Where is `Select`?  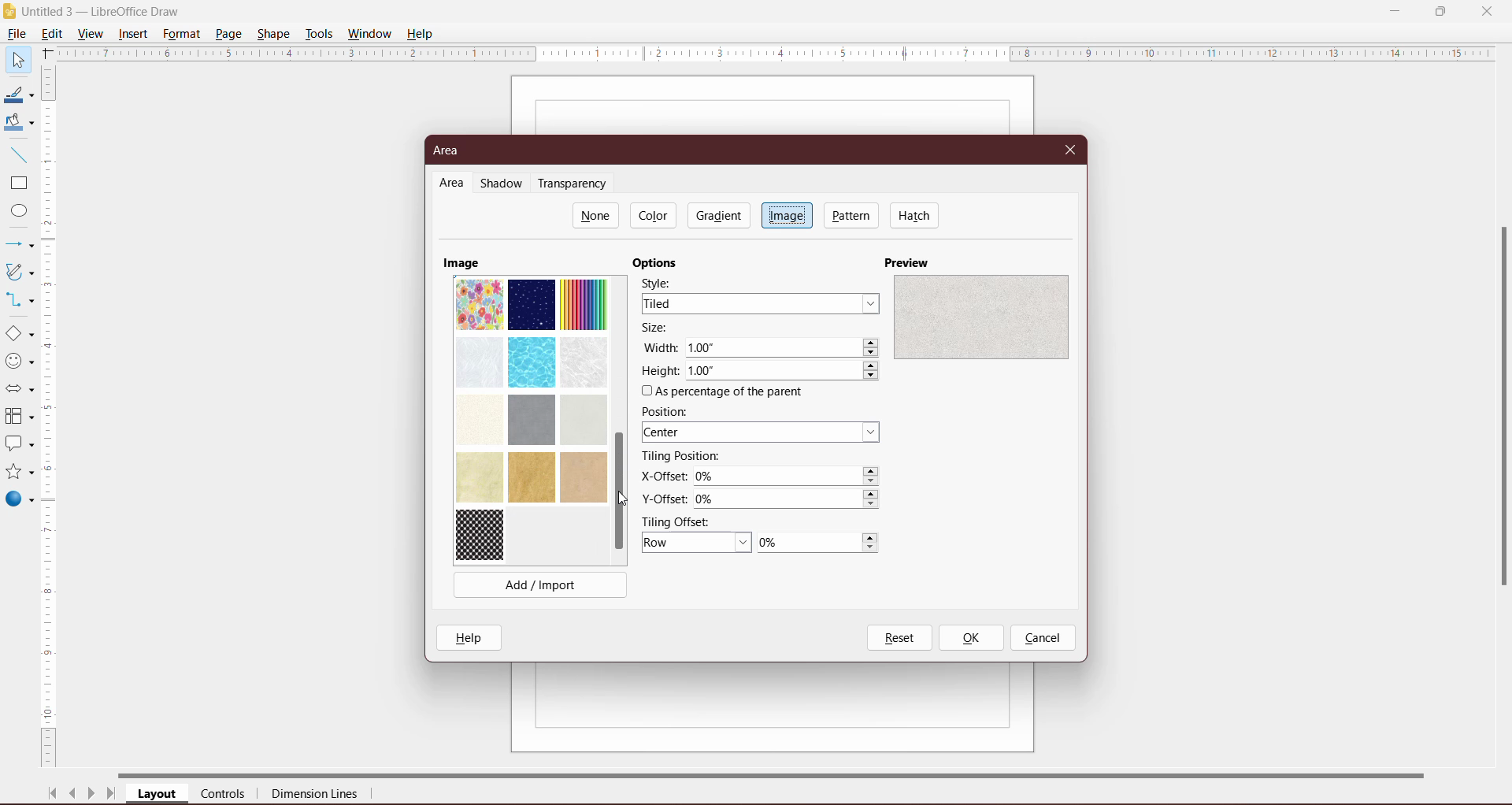 Select is located at coordinates (17, 59).